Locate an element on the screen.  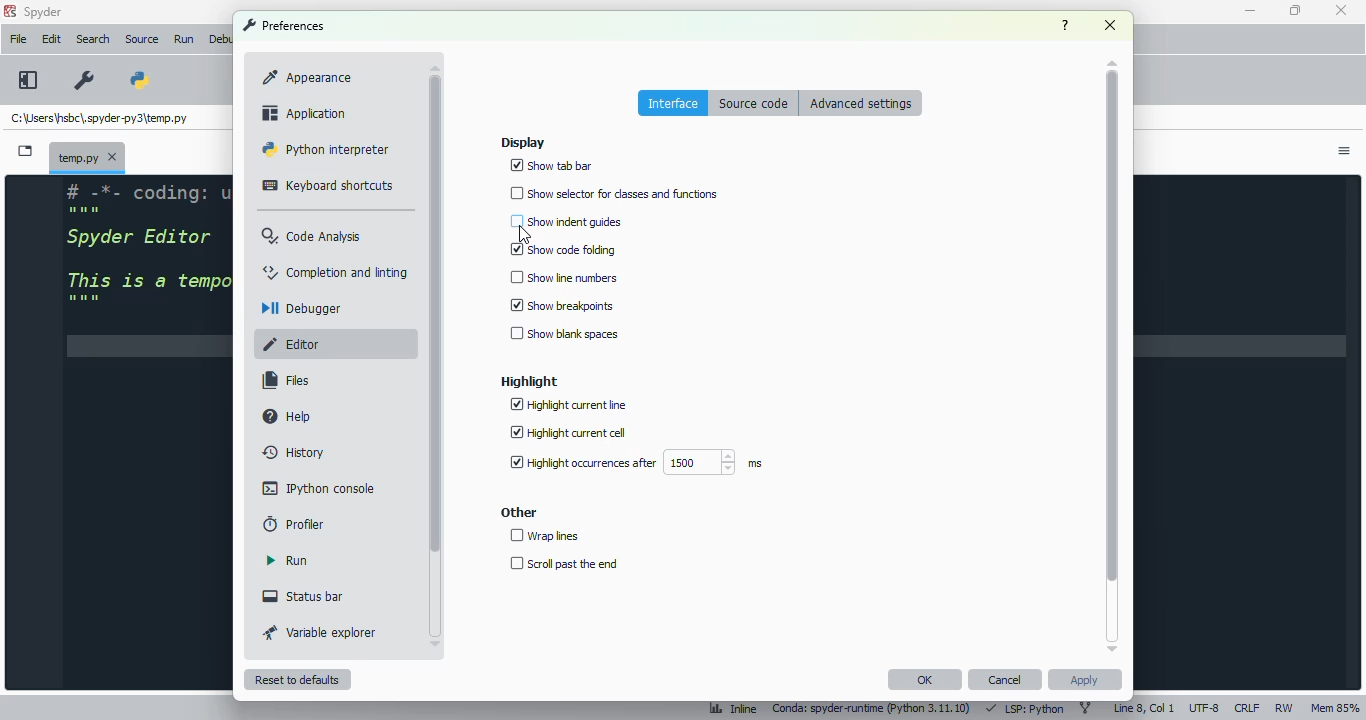
maximize is located at coordinates (1297, 10).